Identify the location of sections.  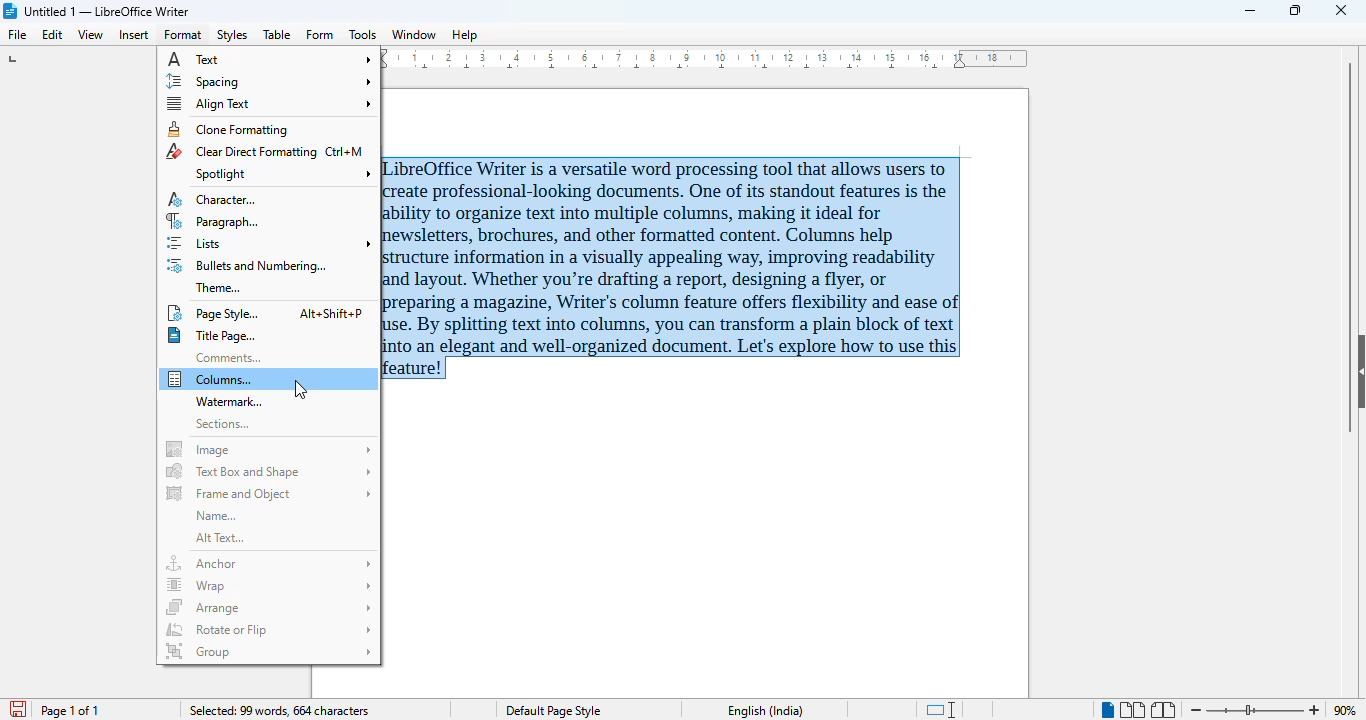
(223, 424).